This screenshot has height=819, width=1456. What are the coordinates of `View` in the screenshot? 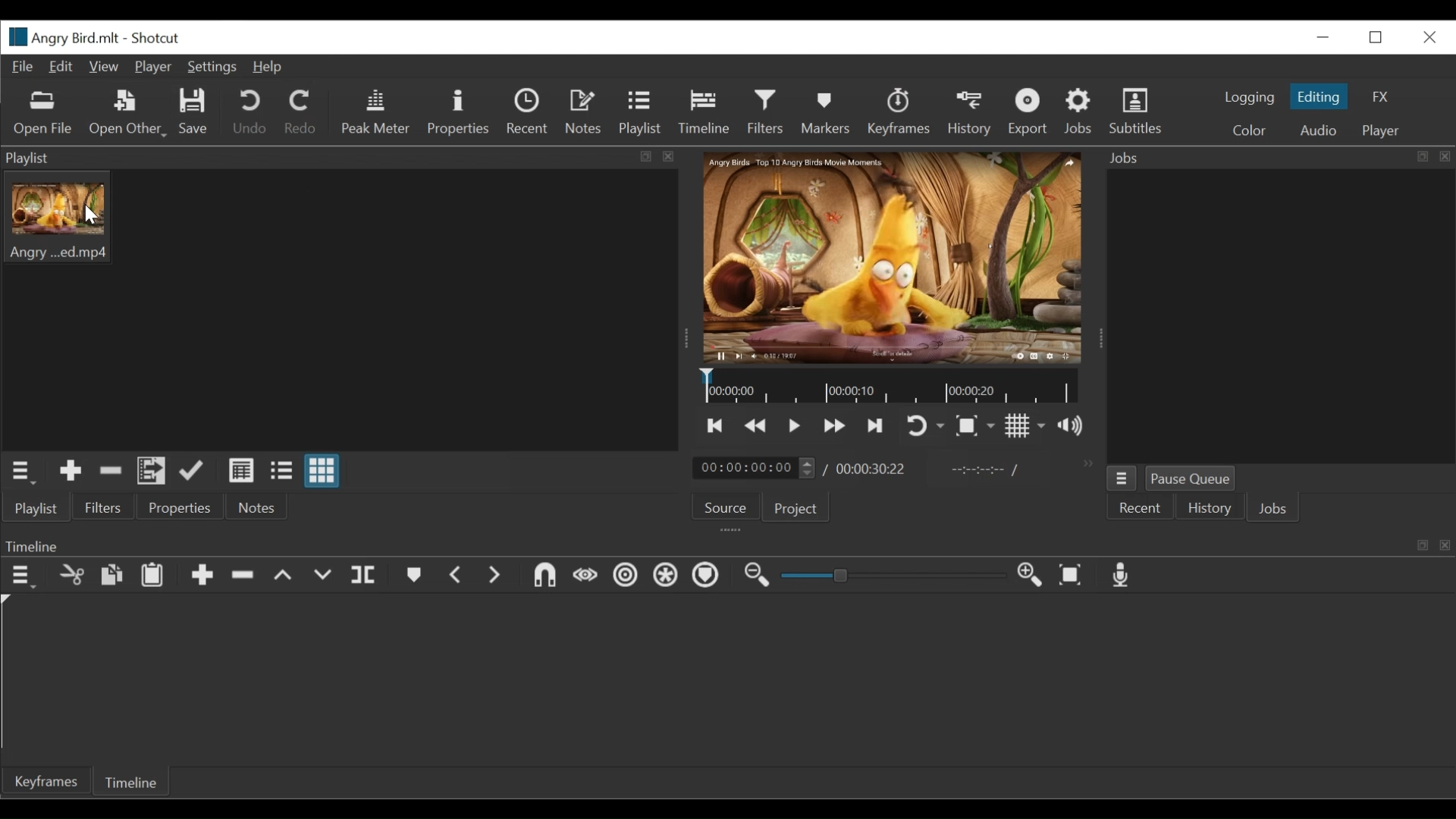 It's located at (103, 67).